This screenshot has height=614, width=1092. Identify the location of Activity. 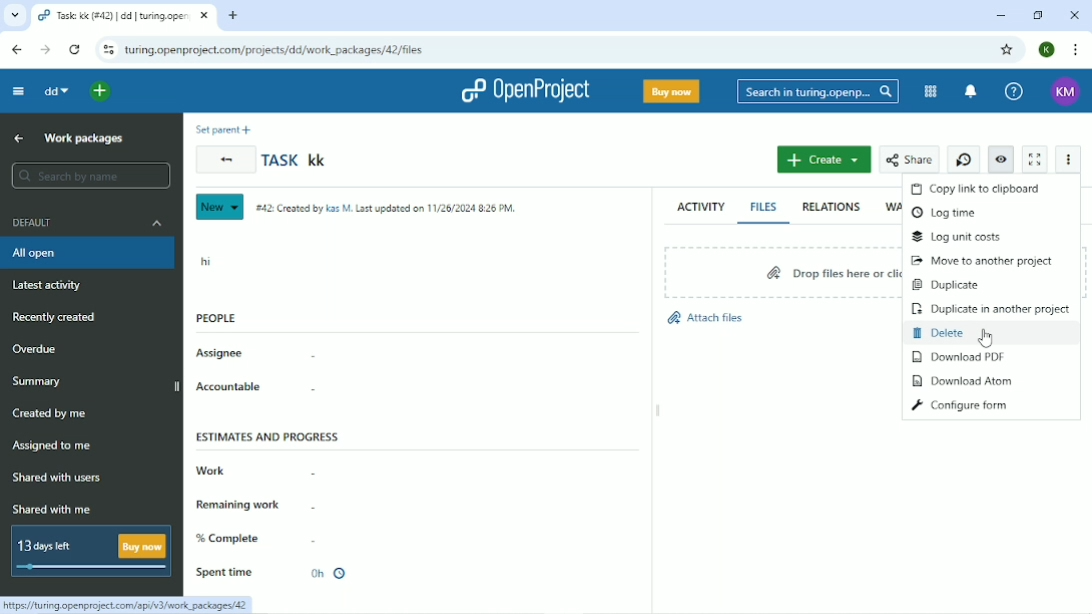
(702, 208).